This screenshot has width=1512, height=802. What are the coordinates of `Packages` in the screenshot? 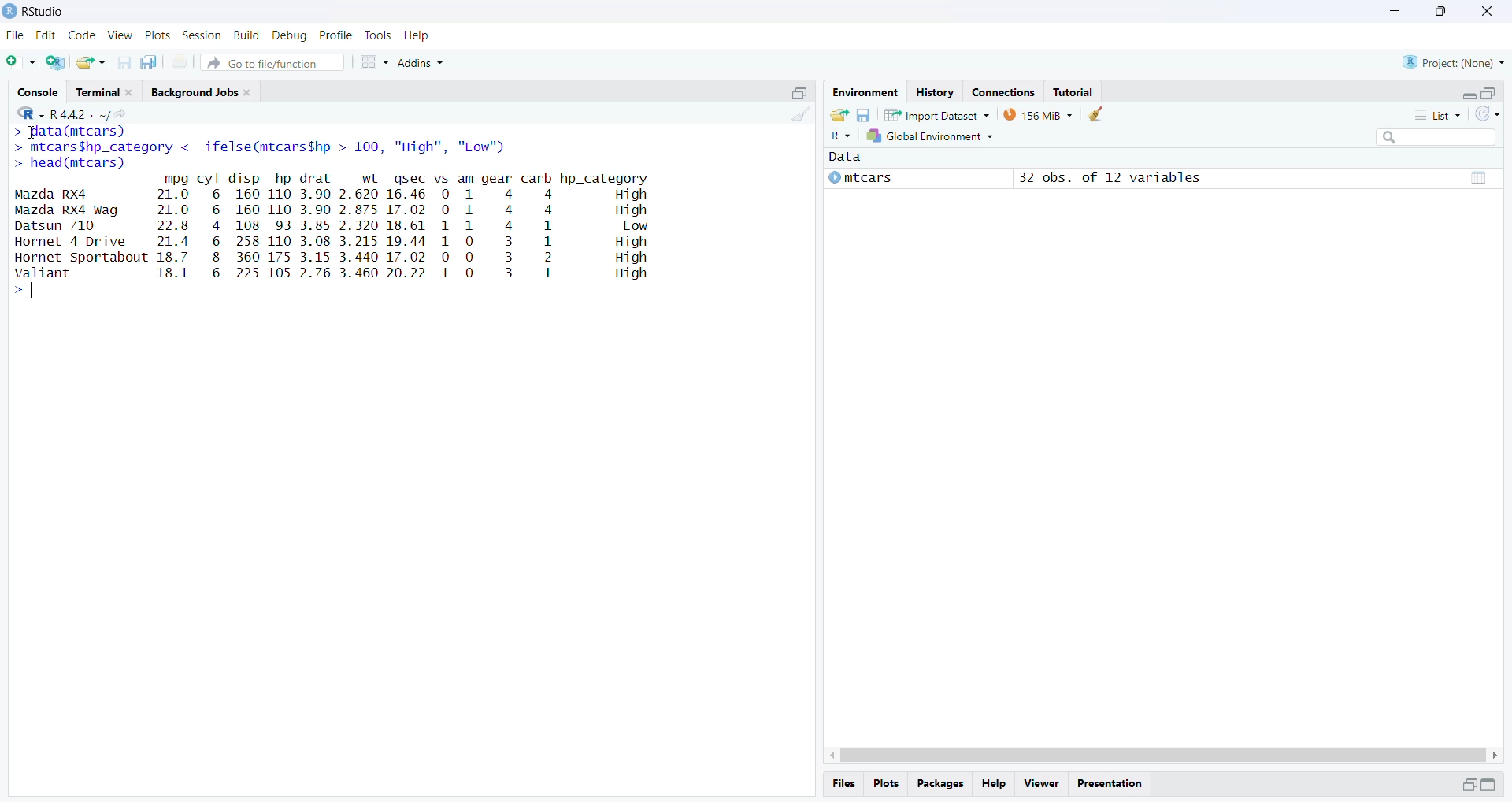 It's located at (941, 785).